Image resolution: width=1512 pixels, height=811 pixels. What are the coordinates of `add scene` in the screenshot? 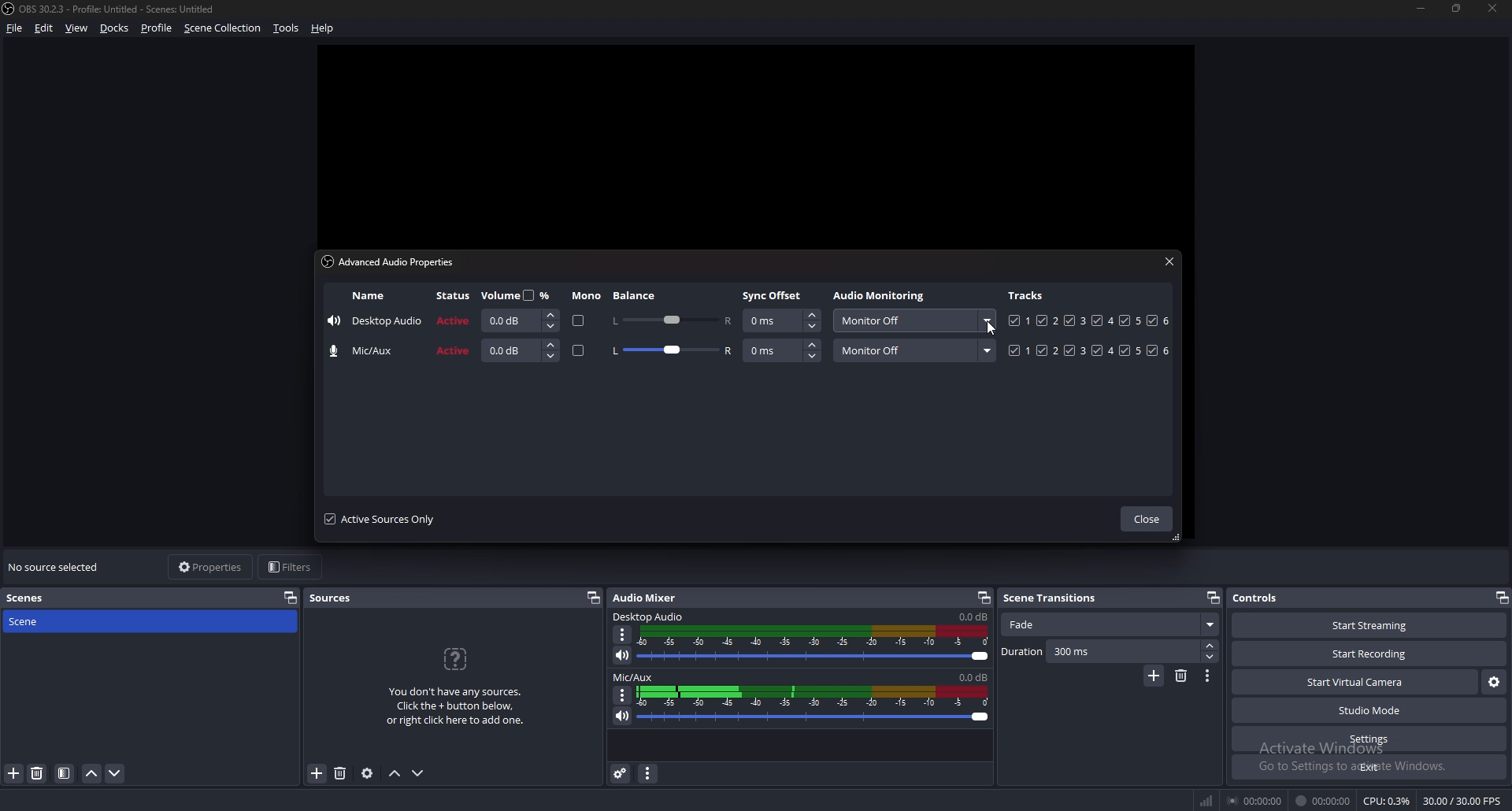 It's located at (1154, 676).